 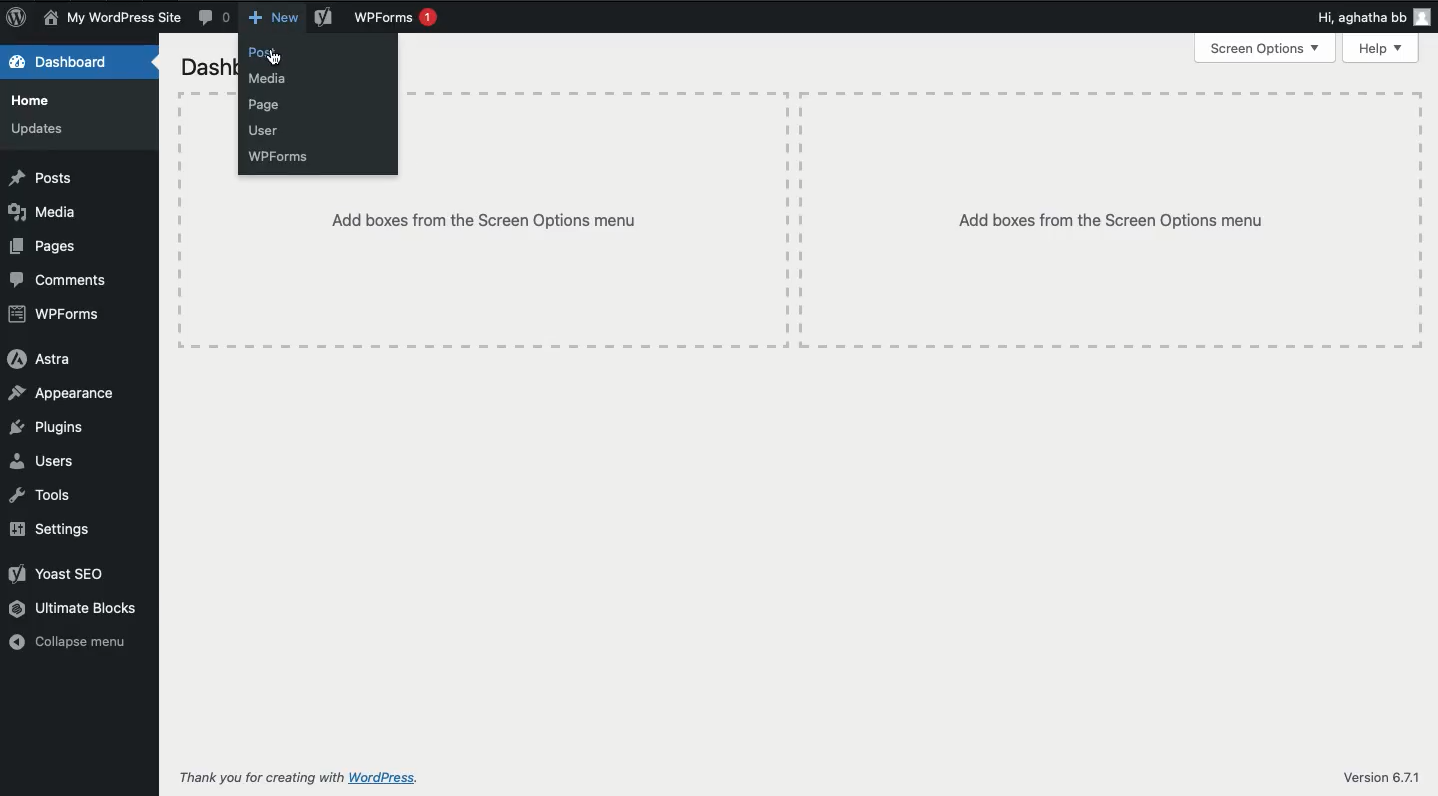 What do you see at coordinates (41, 359) in the screenshot?
I see `Astra` at bounding box center [41, 359].